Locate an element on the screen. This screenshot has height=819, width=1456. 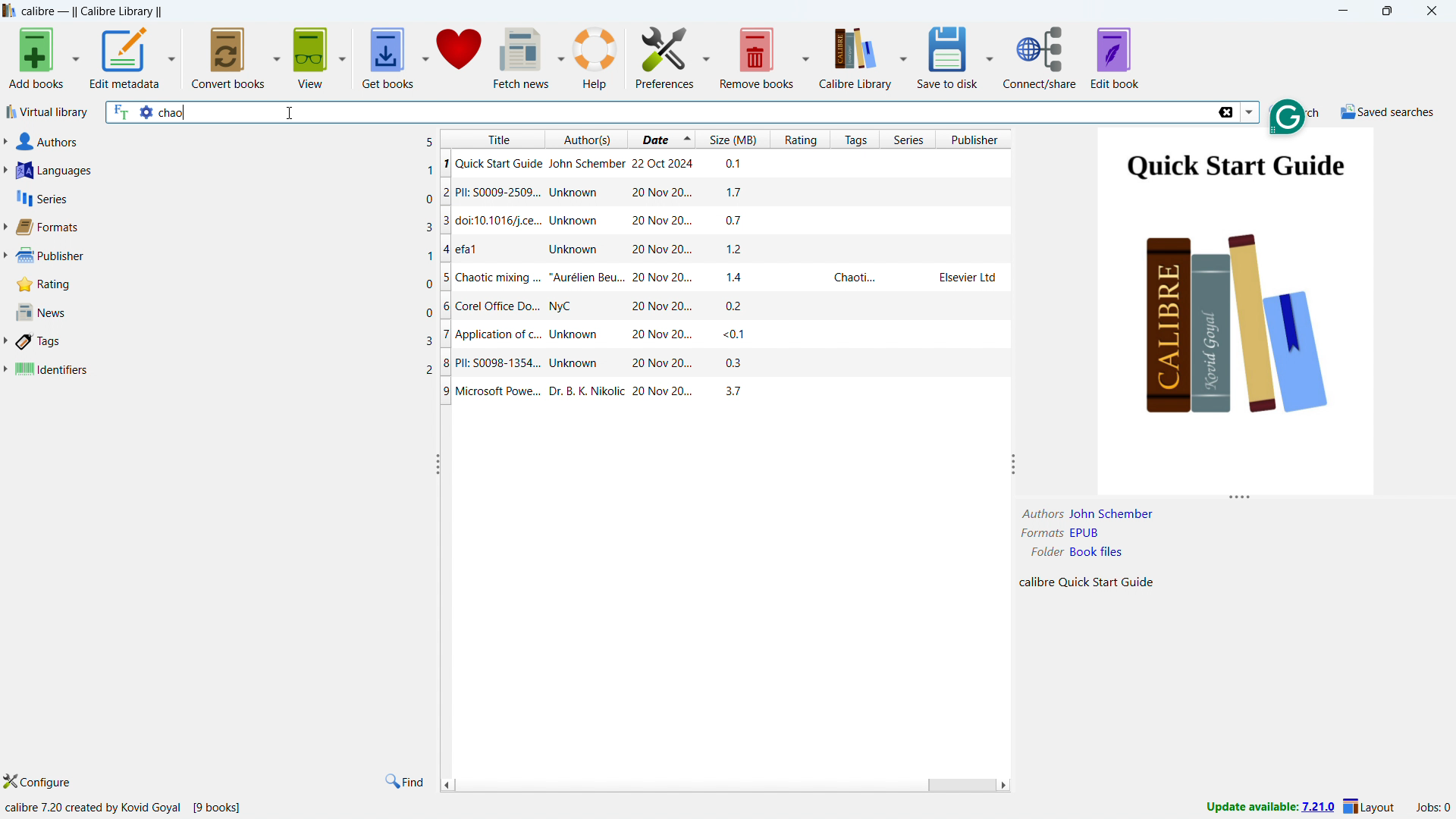
sort by tags is located at coordinates (855, 139).